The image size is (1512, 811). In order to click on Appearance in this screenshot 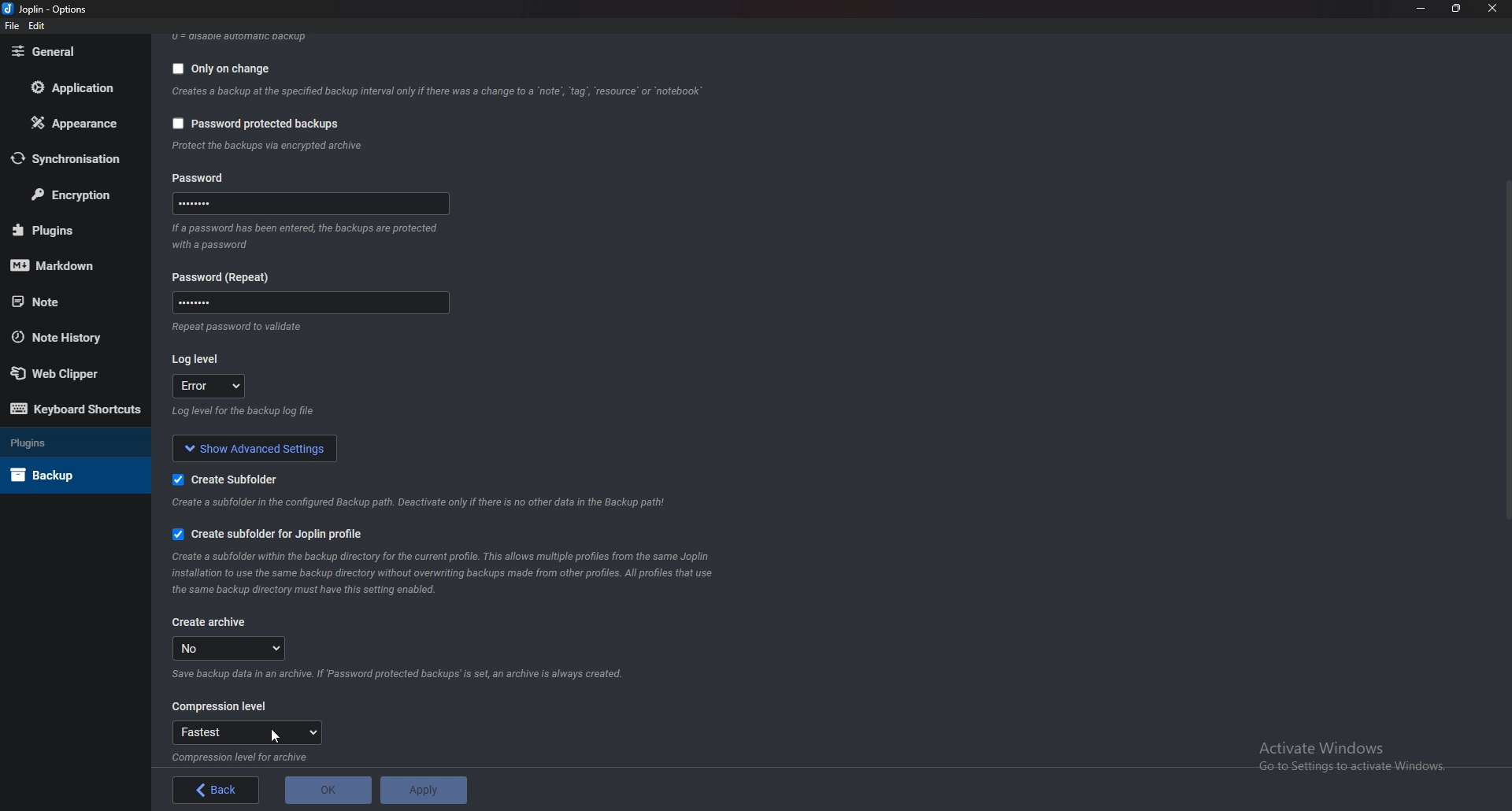, I will do `click(74, 124)`.